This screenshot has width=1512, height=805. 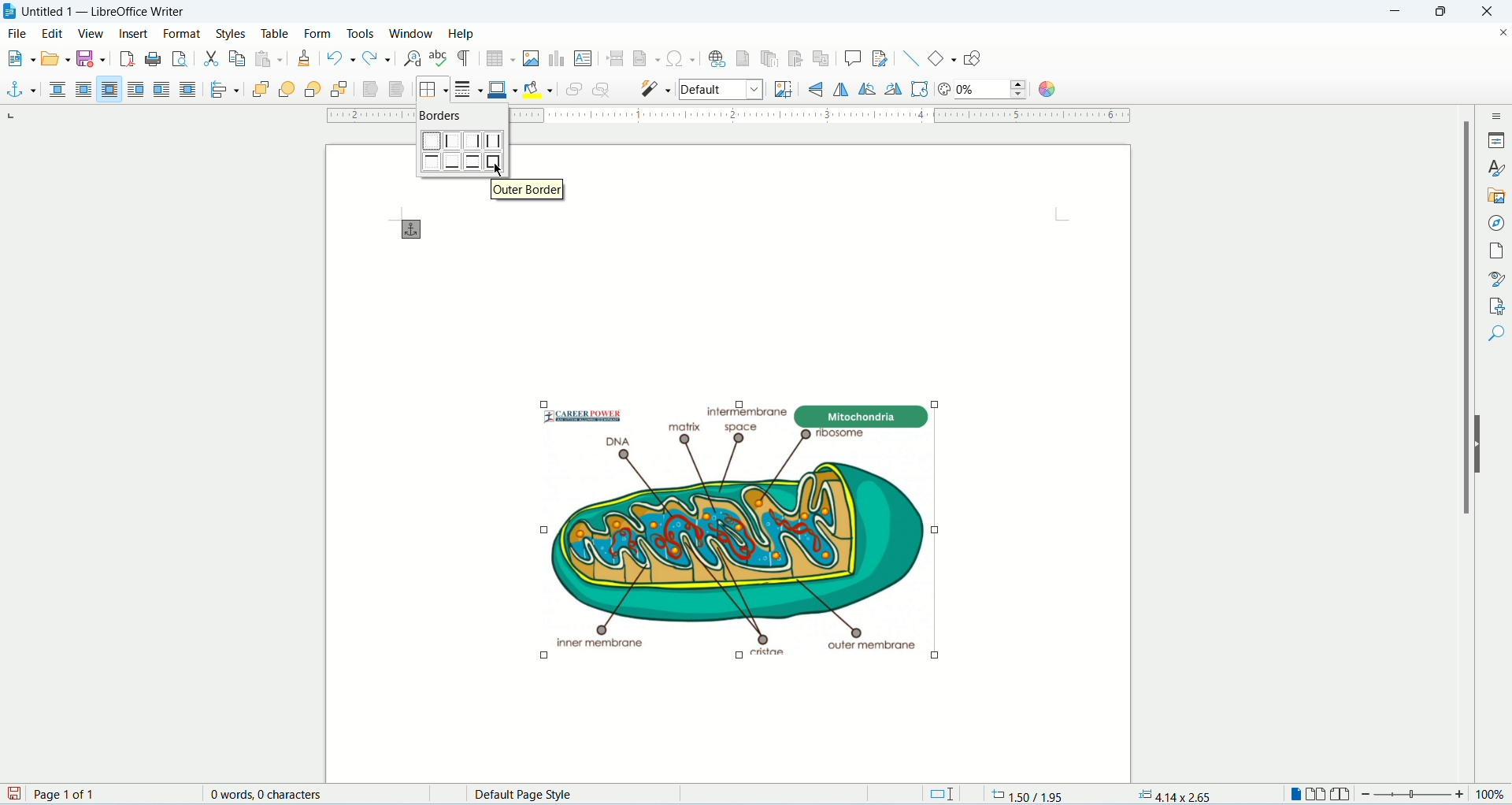 I want to click on print, so click(x=153, y=59).